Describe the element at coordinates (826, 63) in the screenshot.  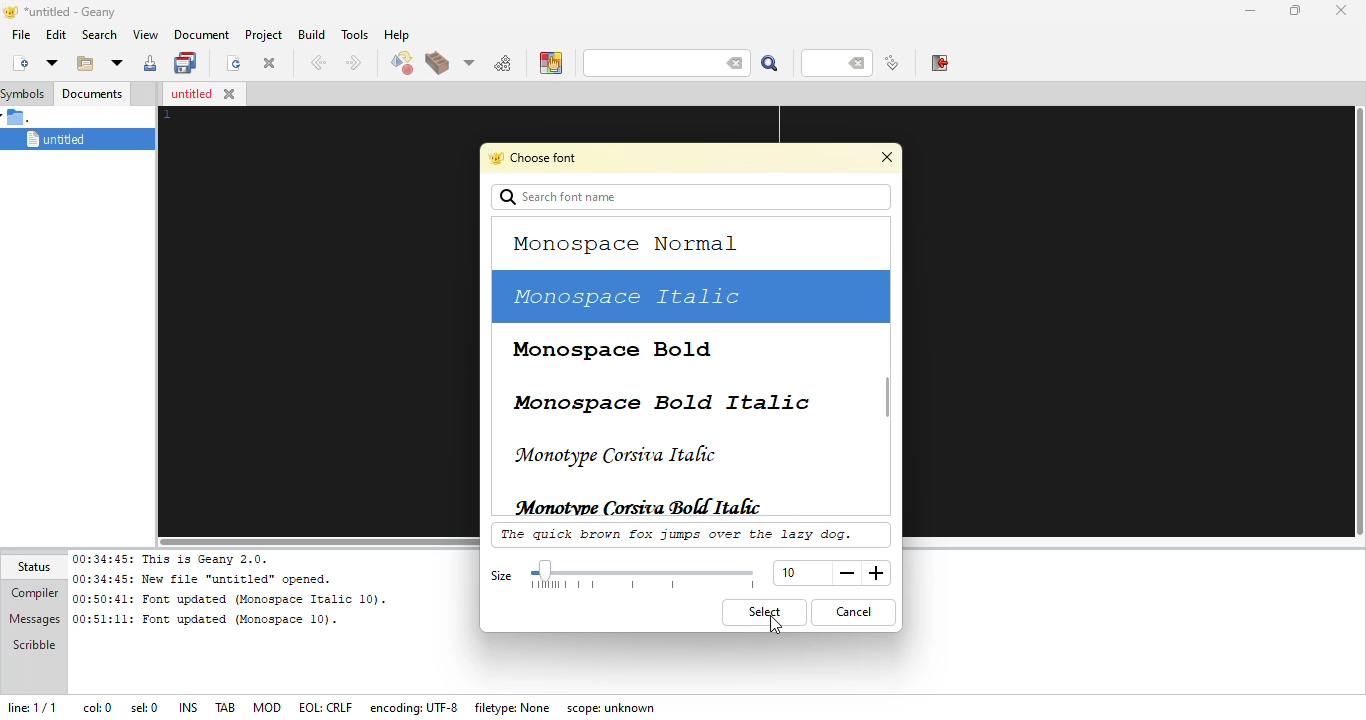
I see `line number` at that location.